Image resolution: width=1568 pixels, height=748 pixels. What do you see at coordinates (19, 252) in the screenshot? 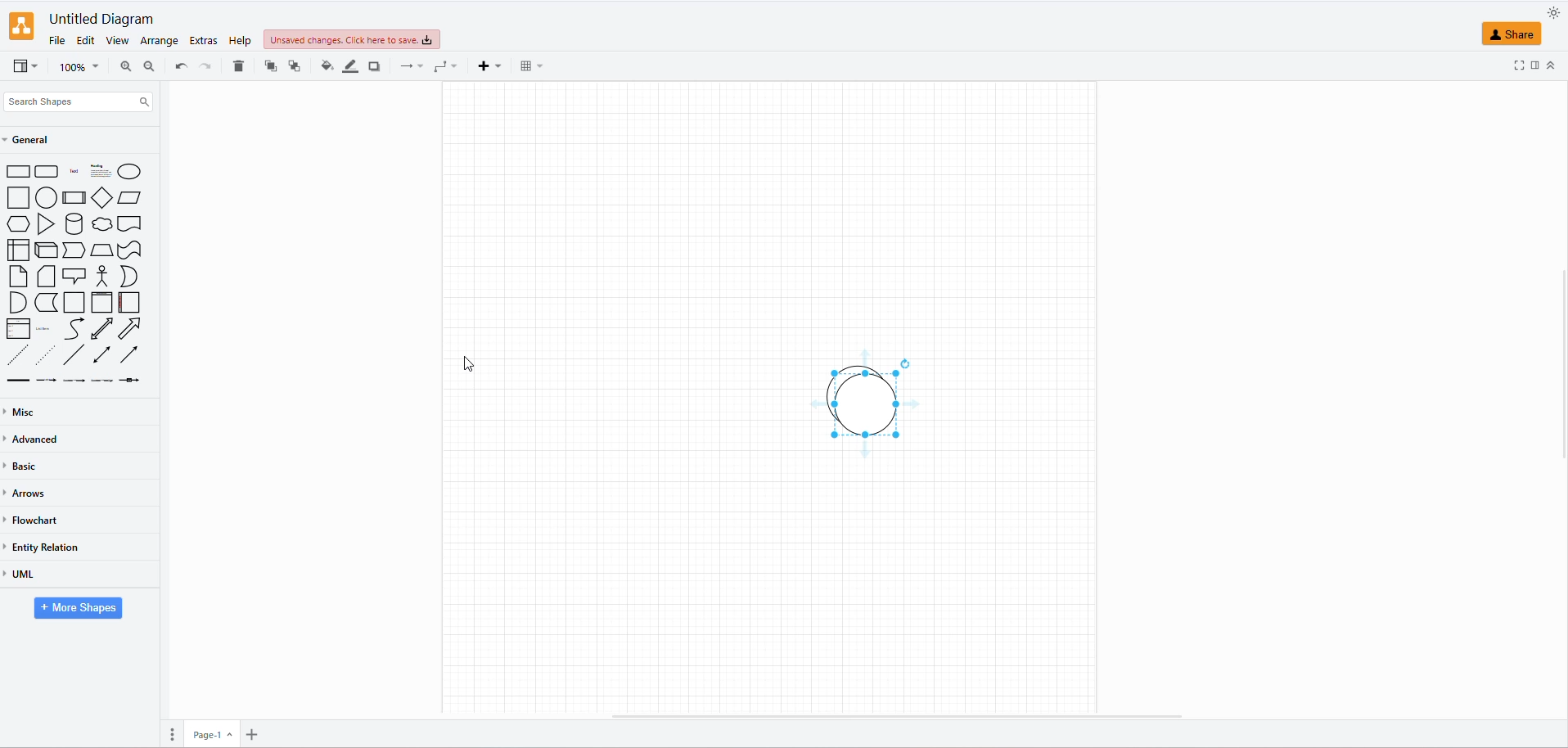
I see `INTERNAL STORAGE` at bounding box center [19, 252].